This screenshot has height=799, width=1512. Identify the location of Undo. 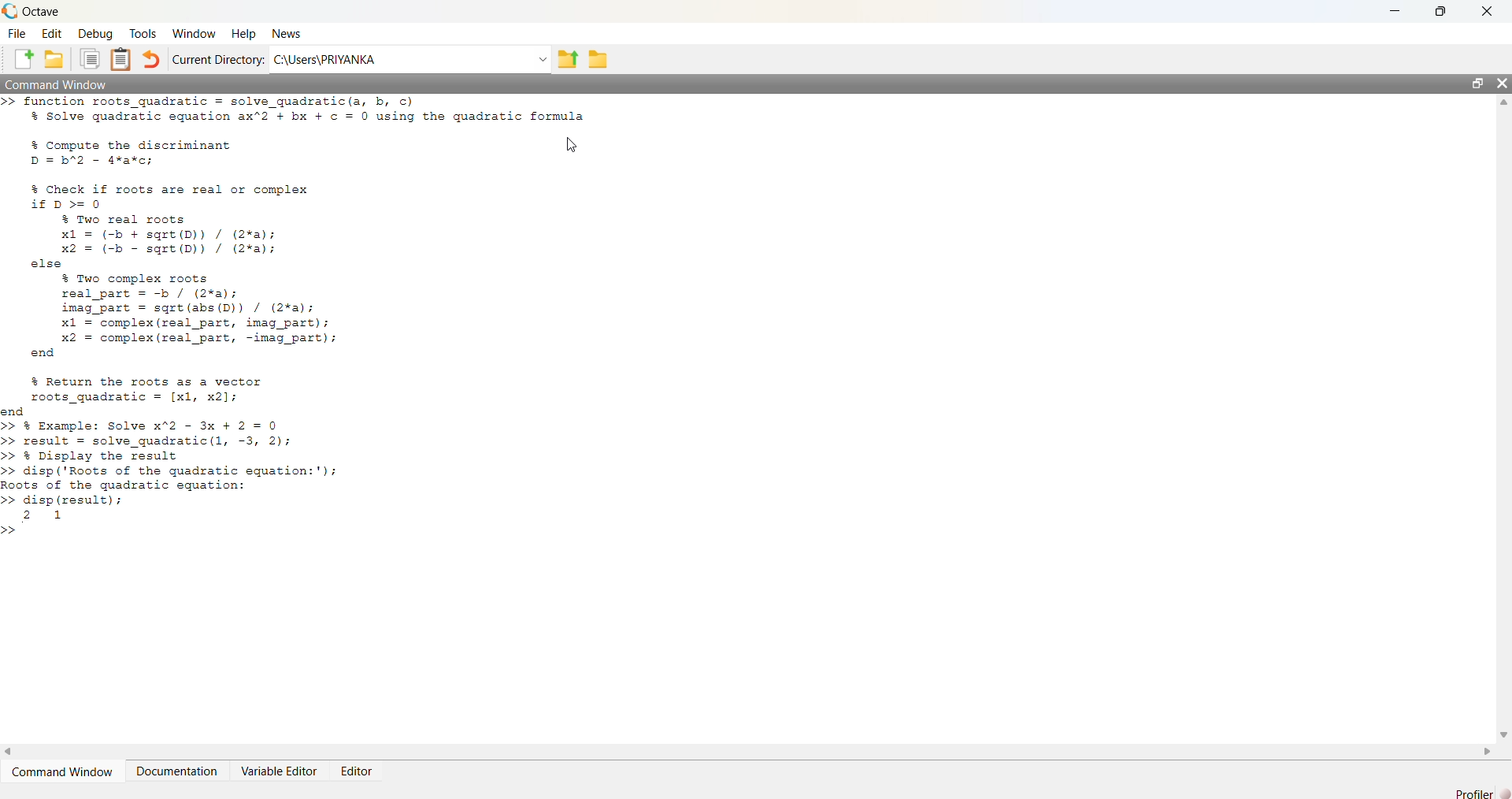
(152, 60).